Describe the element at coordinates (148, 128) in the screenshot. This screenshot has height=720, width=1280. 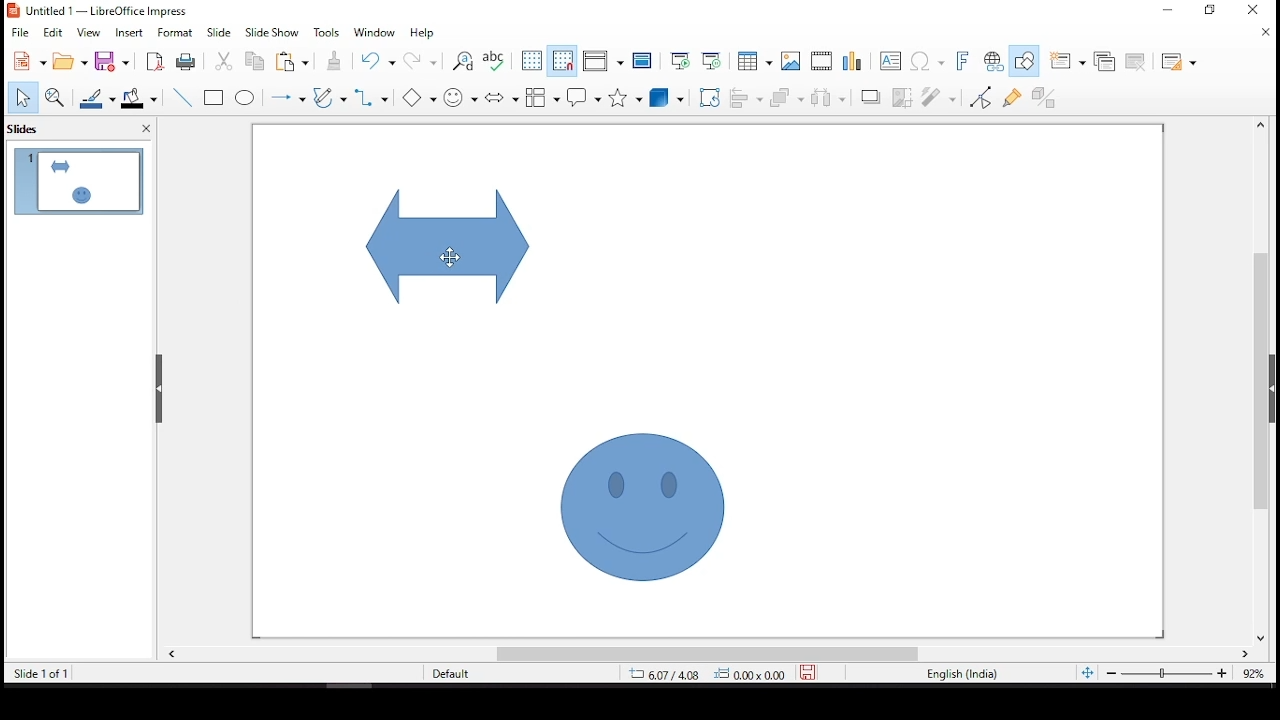
I see `close pane` at that location.